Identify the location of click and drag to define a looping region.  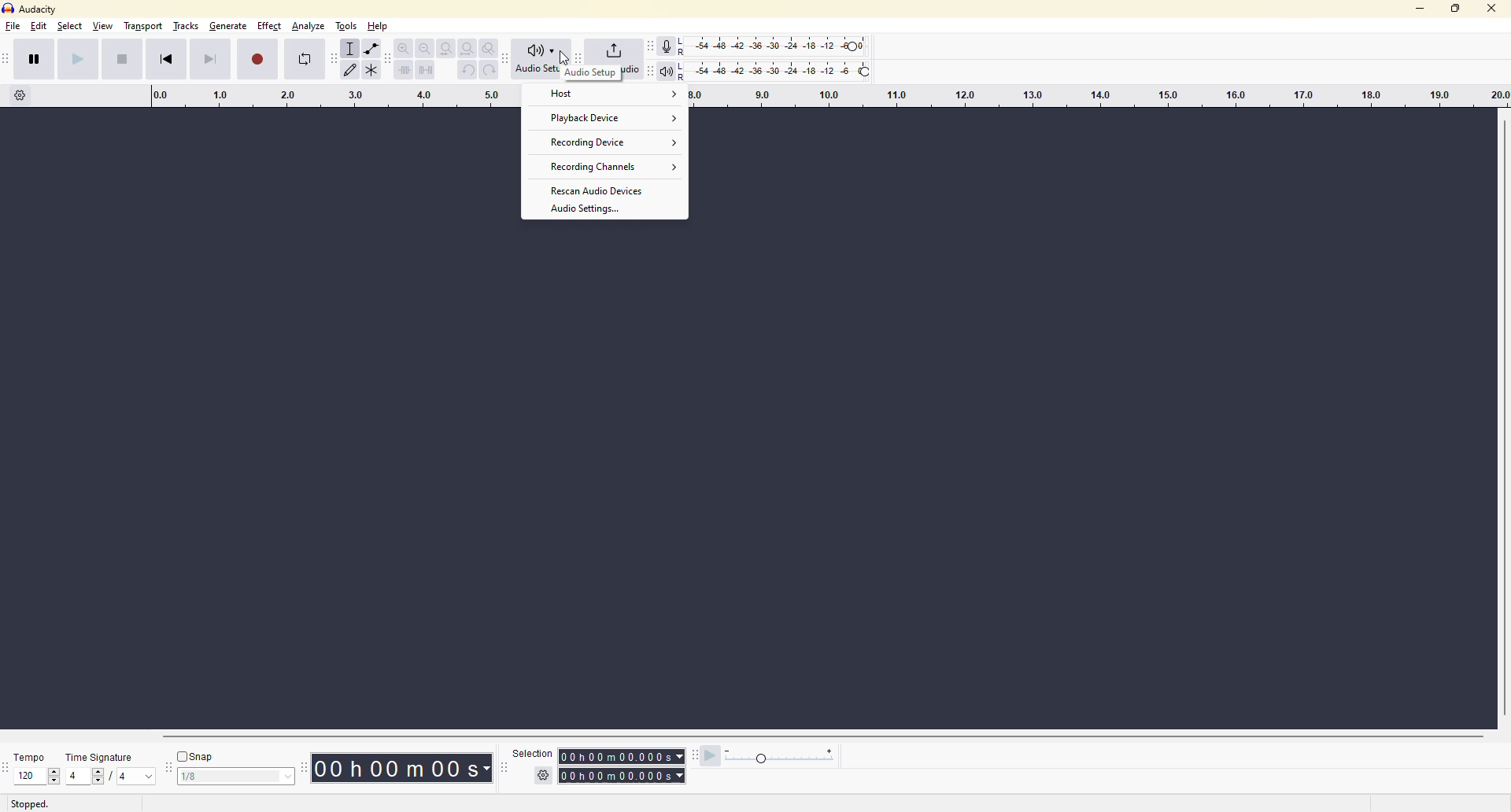
(1098, 99).